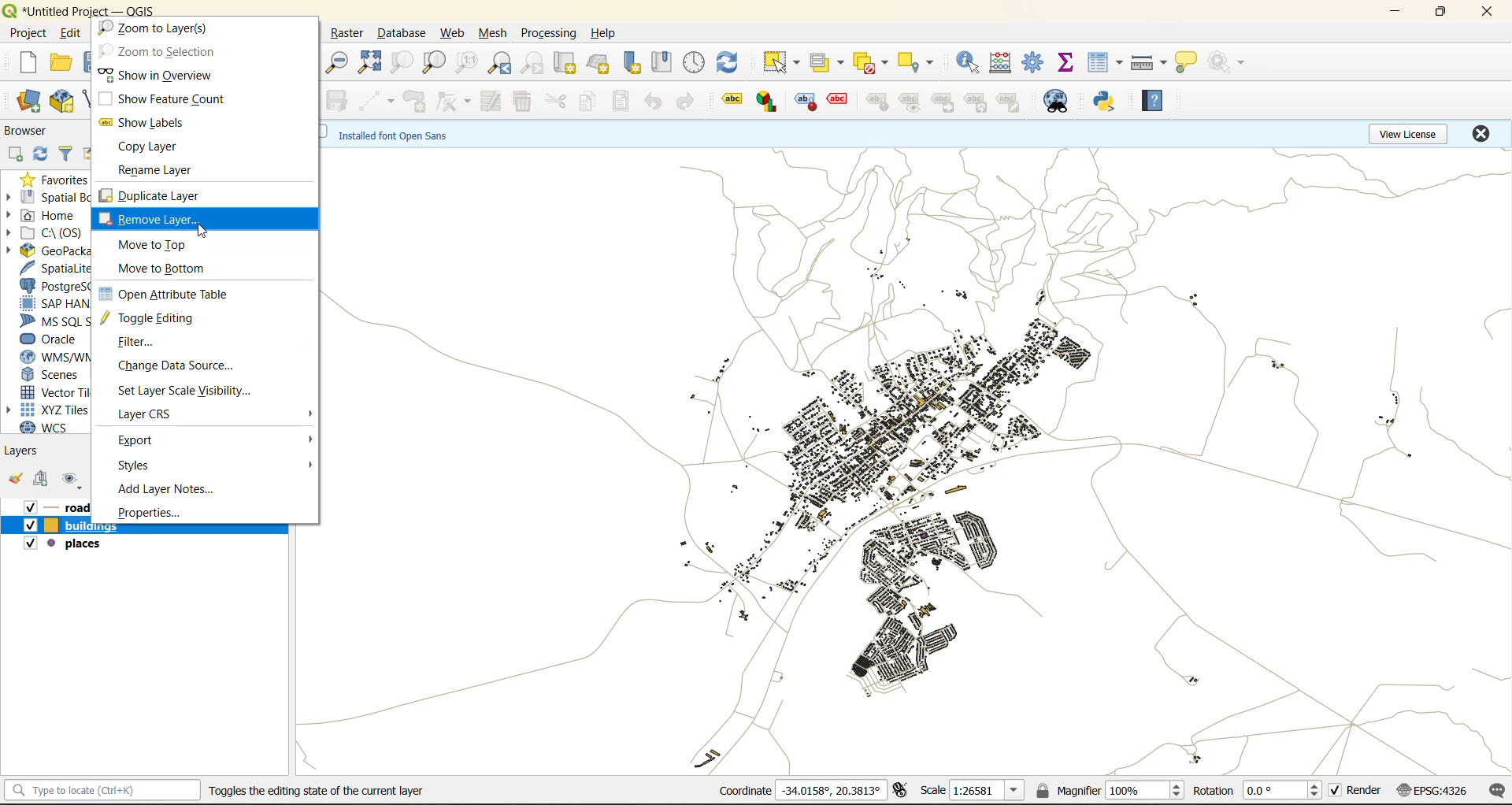 Image resolution: width=1512 pixels, height=805 pixels. Describe the element at coordinates (180, 99) in the screenshot. I see `show feature count` at that location.